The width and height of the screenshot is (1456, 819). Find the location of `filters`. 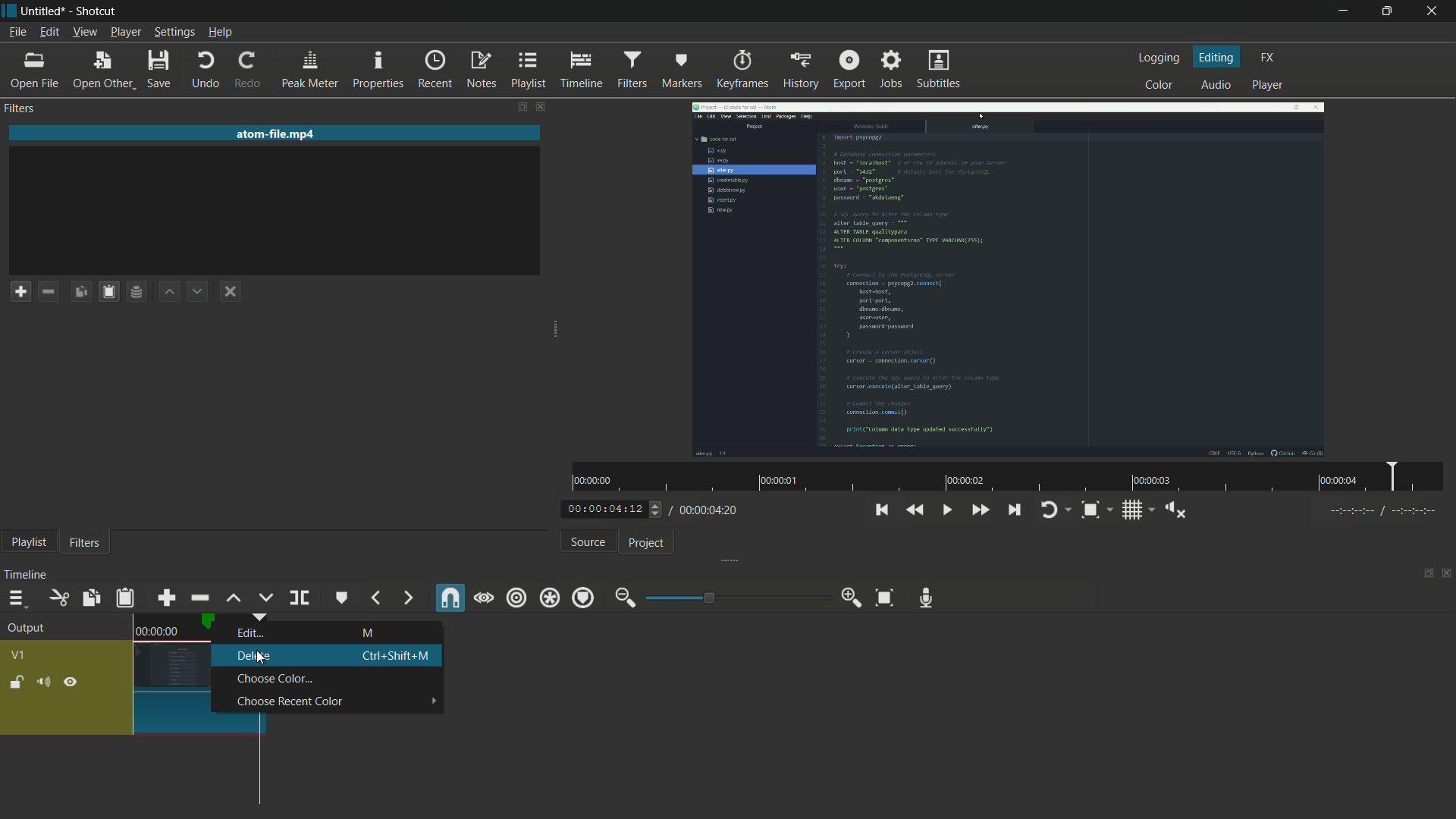

filters is located at coordinates (84, 544).